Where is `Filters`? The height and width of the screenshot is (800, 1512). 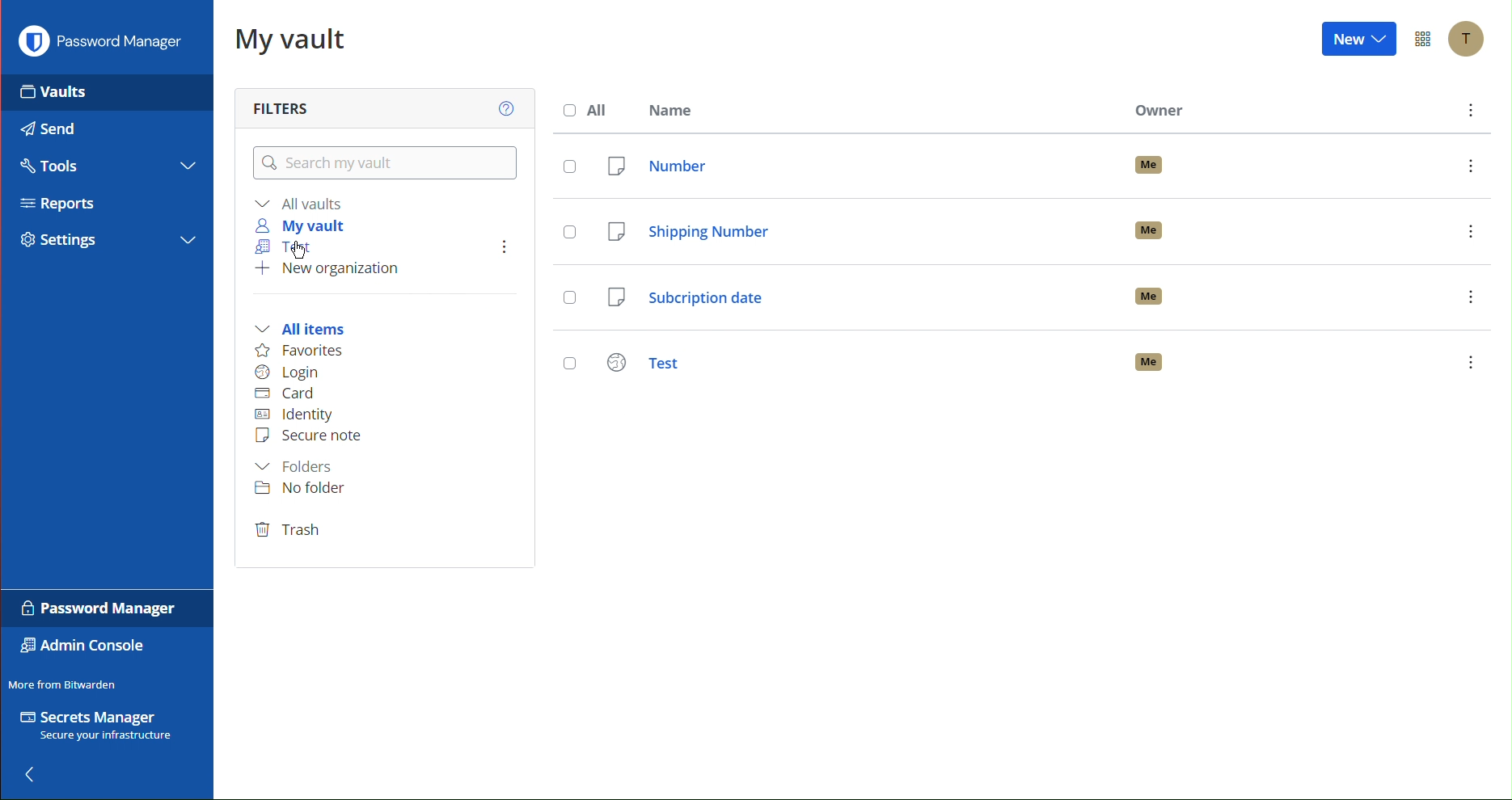 Filters is located at coordinates (284, 105).